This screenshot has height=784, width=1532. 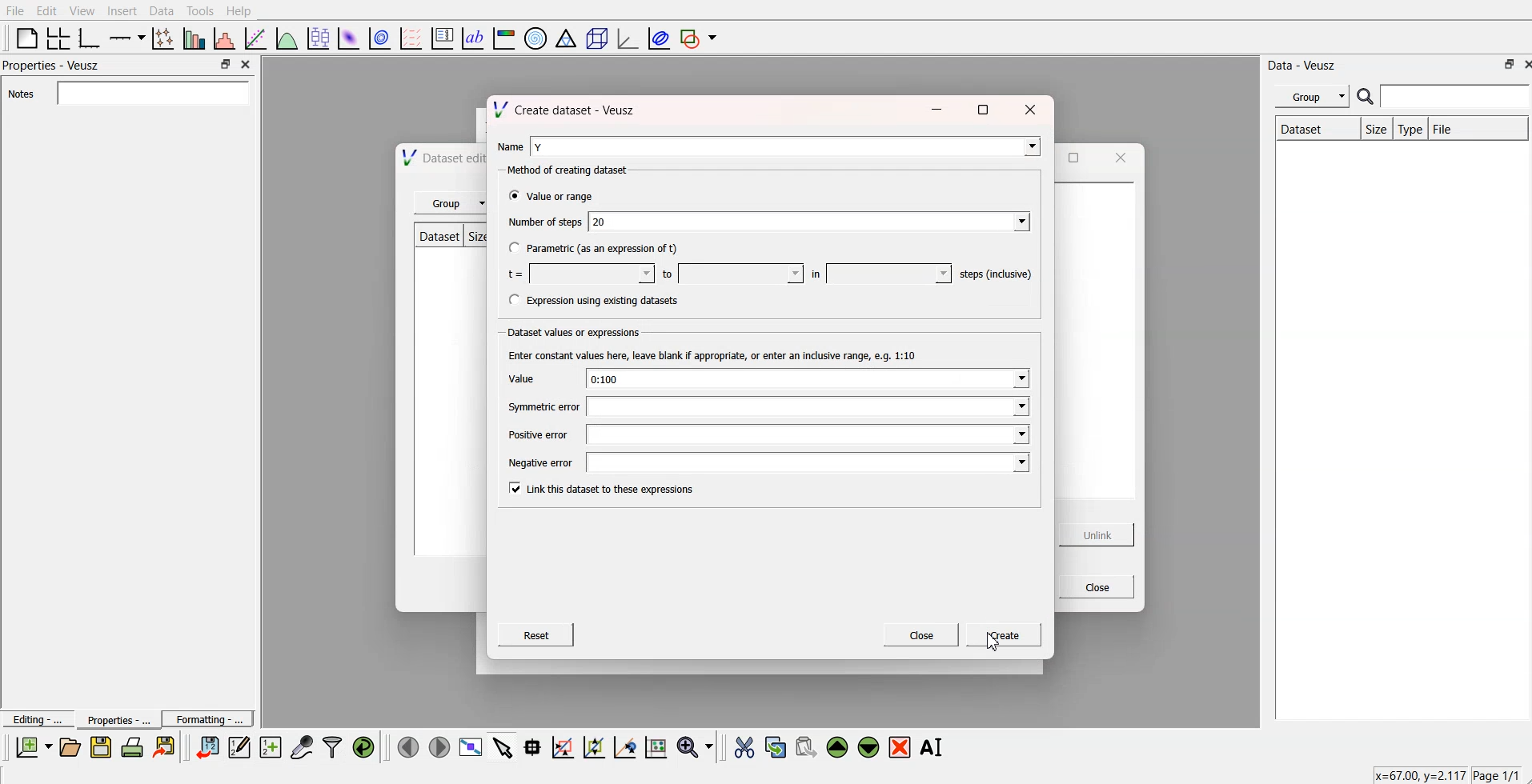 I want to click on 4 Dataset edi, so click(x=435, y=159).